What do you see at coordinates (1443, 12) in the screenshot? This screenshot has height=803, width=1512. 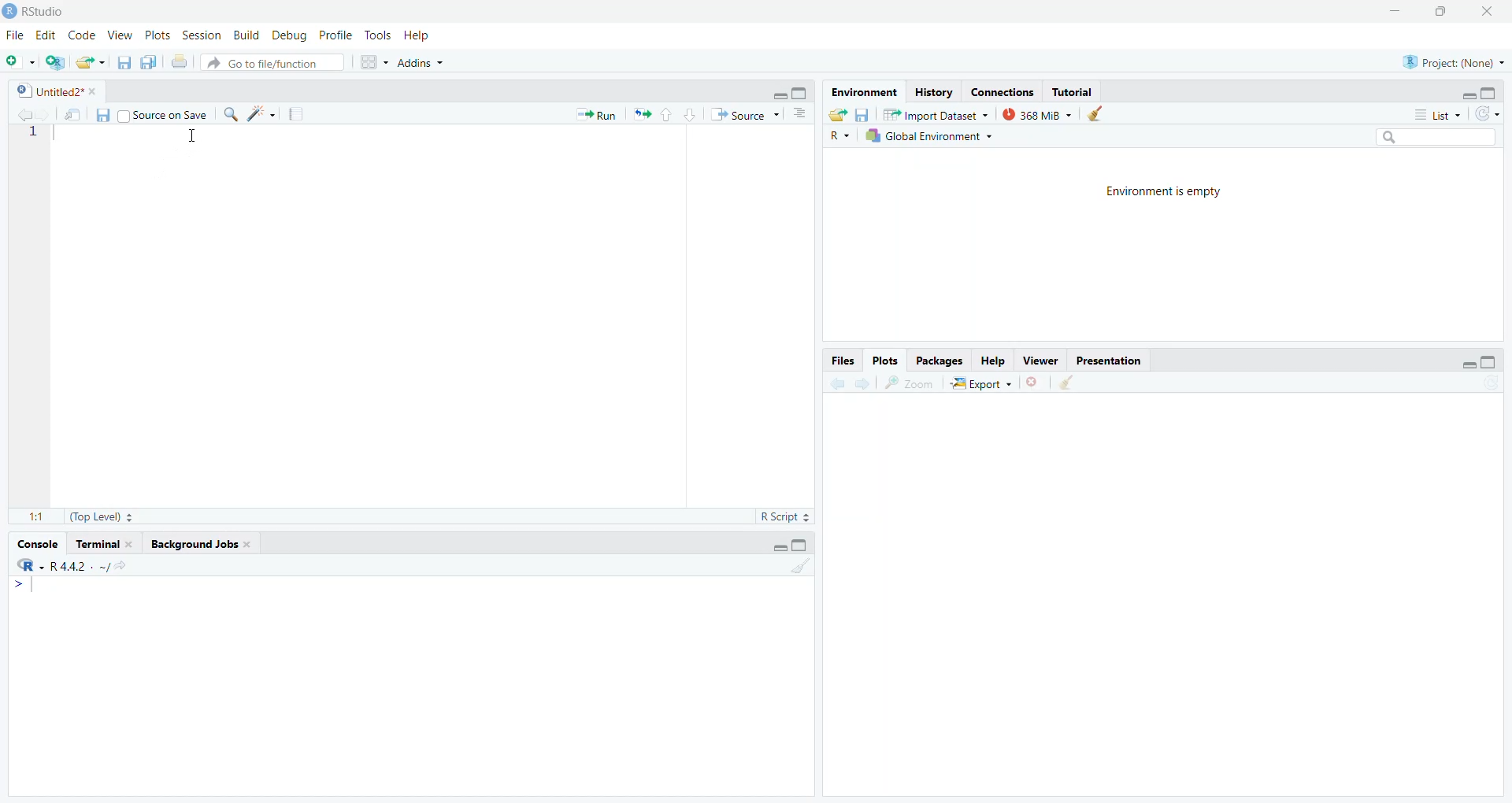 I see `maximise` at bounding box center [1443, 12].